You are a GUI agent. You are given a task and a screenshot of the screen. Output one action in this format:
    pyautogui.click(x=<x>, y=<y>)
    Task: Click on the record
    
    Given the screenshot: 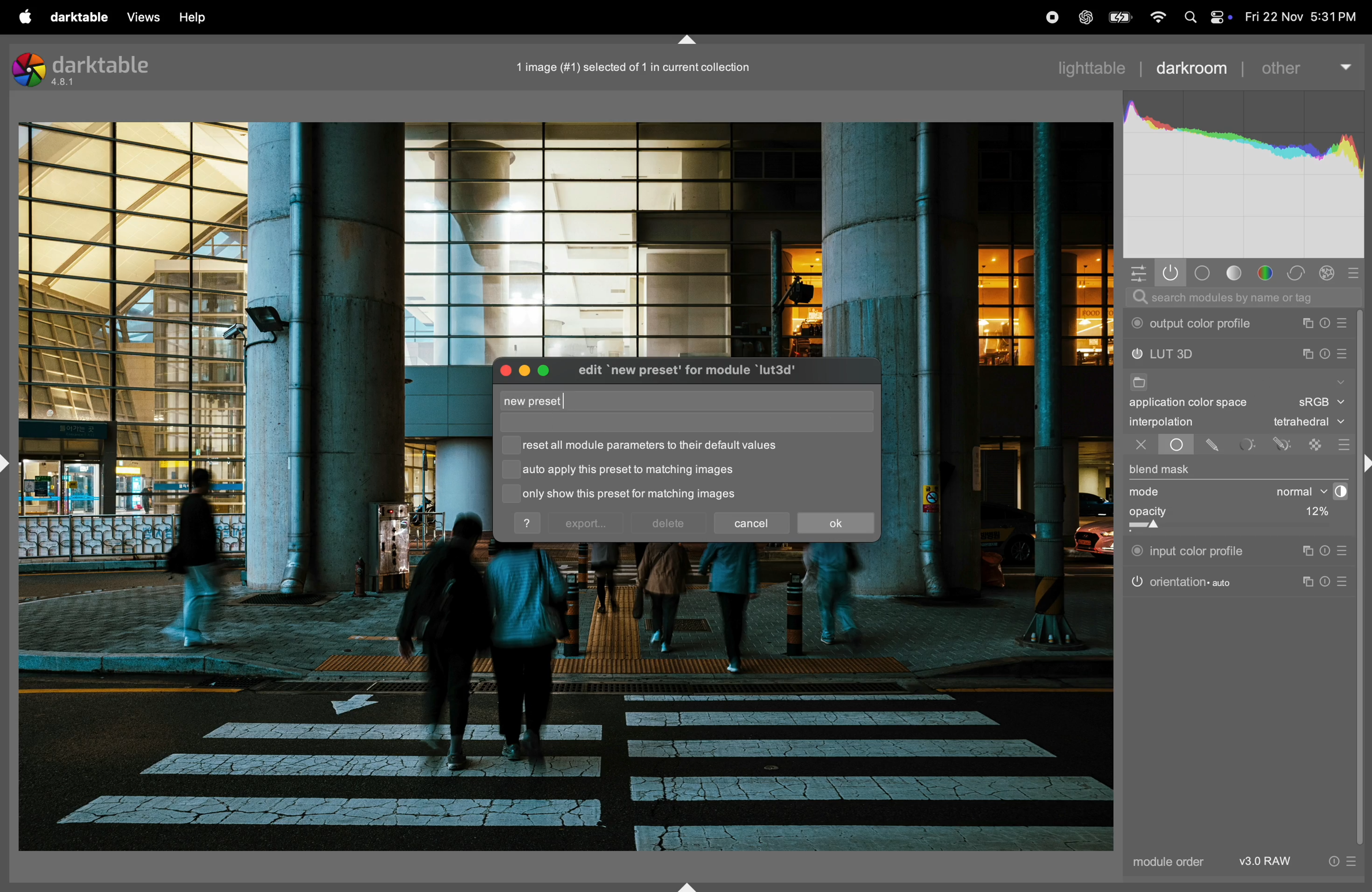 What is the action you would take?
    pyautogui.click(x=1048, y=18)
    